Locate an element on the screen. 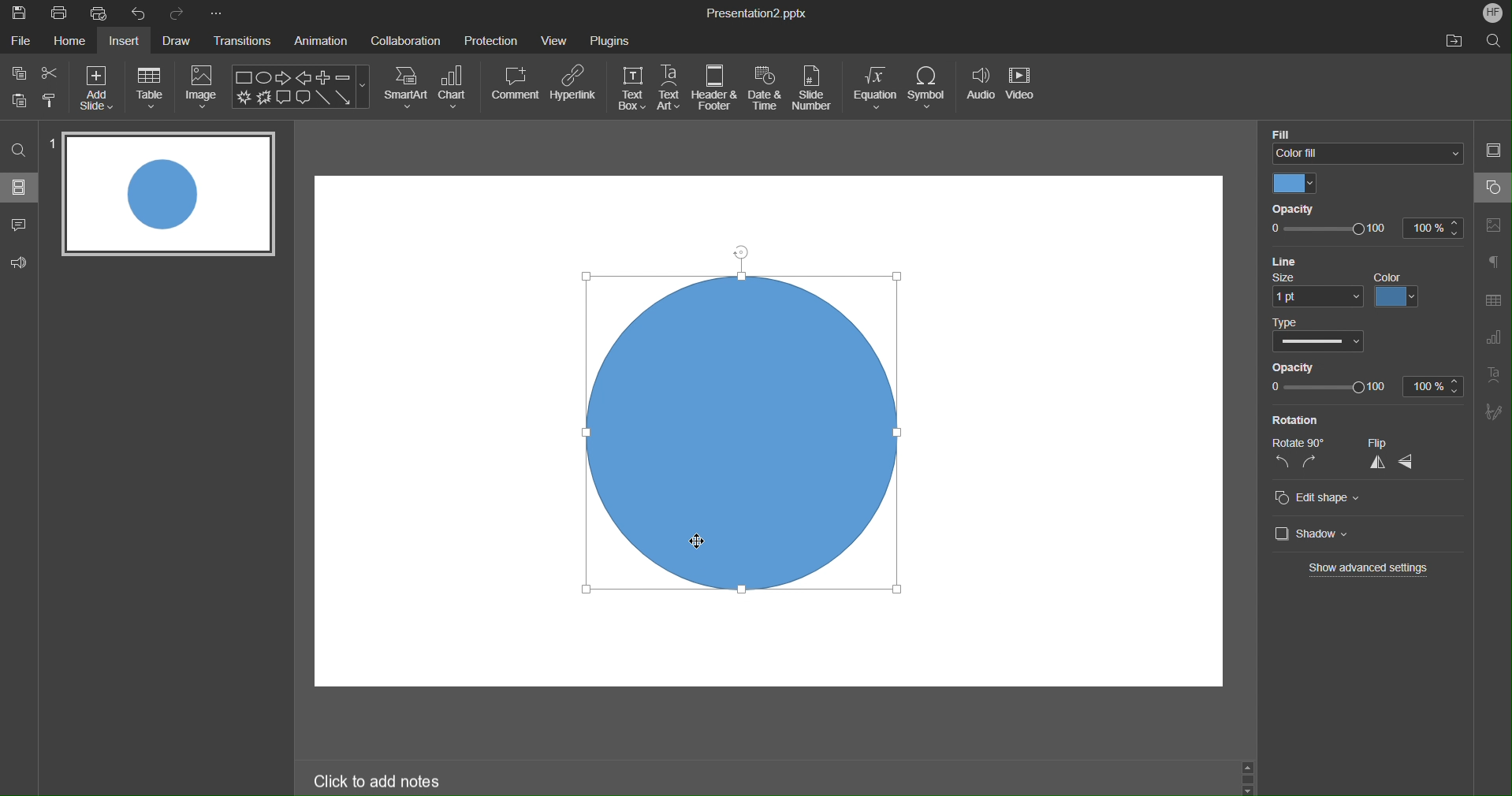 The image size is (1512, 796). Search is located at coordinates (19, 149).